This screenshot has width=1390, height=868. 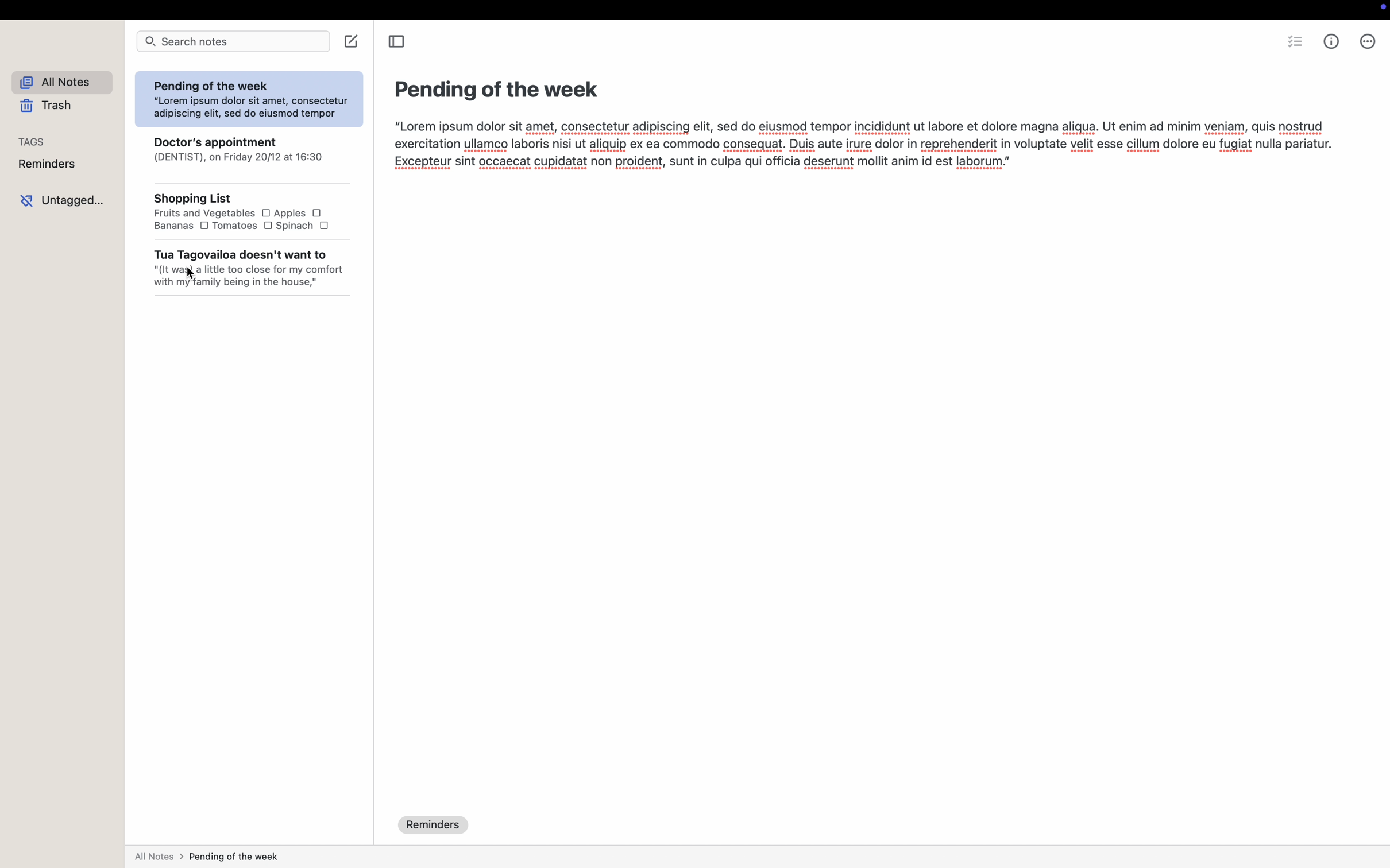 What do you see at coordinates (248, 157) in the screenshot?
I see `LUOCTOr's appointment
(DENTIST), on Friday 20/12 at 16:30` at bounding box center [248, 157].